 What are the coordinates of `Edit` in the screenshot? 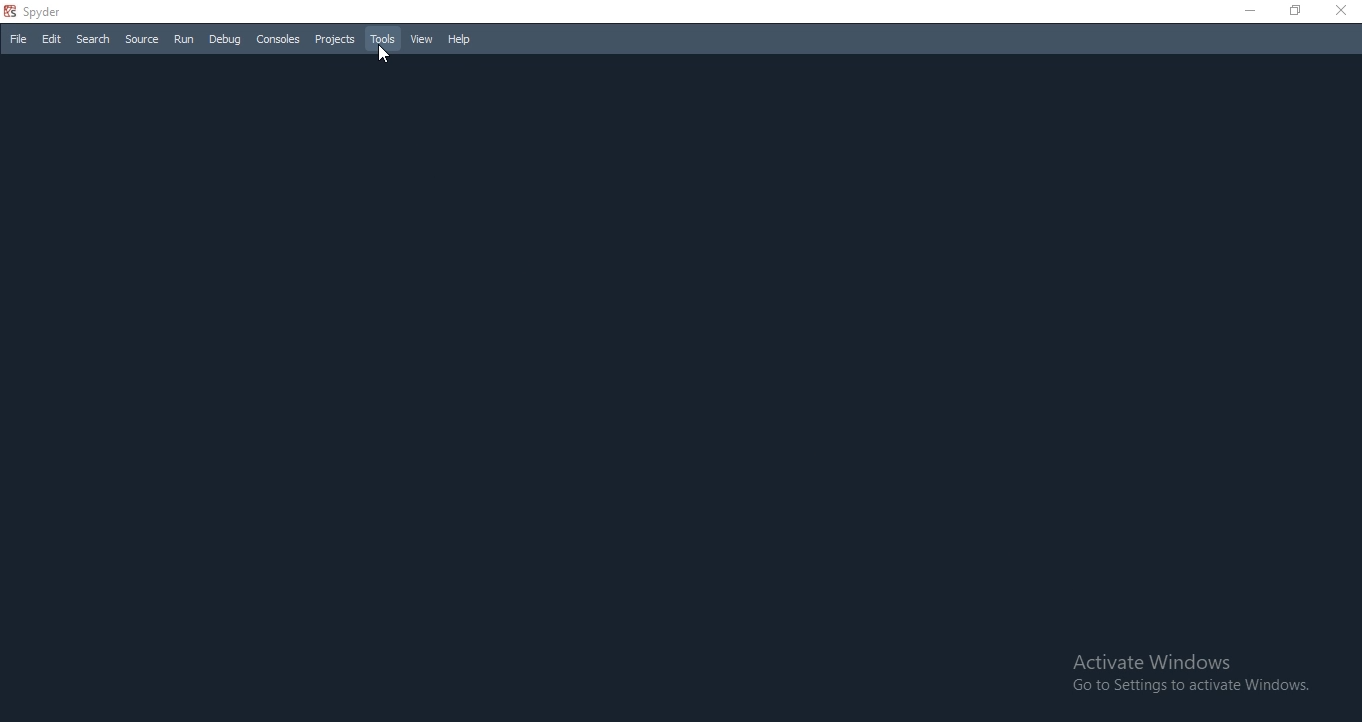 It's located at (52, 39).